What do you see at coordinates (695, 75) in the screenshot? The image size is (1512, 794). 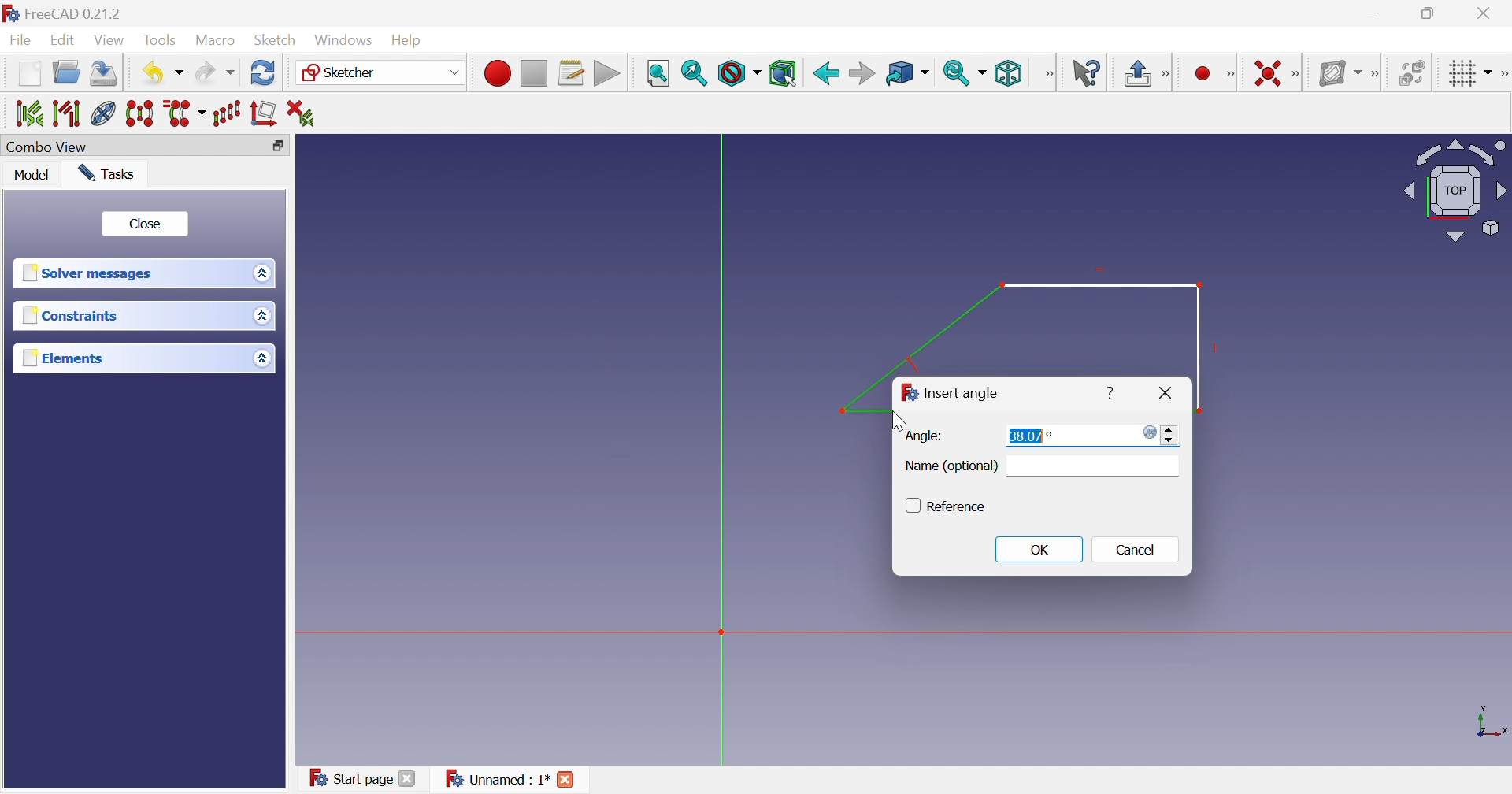 I see `Fit selection` at bounding box center [695, 75].